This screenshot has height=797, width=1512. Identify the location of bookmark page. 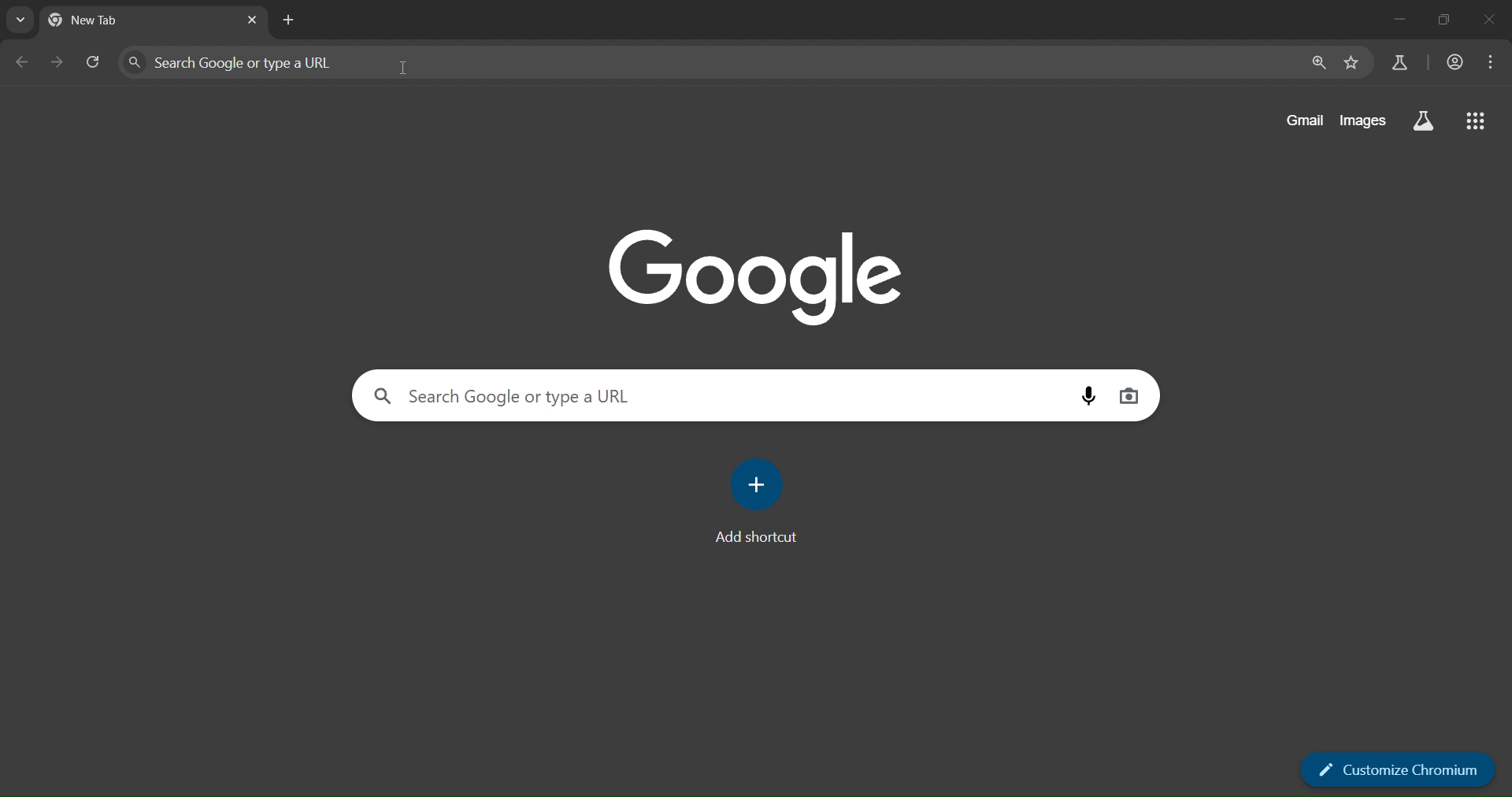
(1354, 65).